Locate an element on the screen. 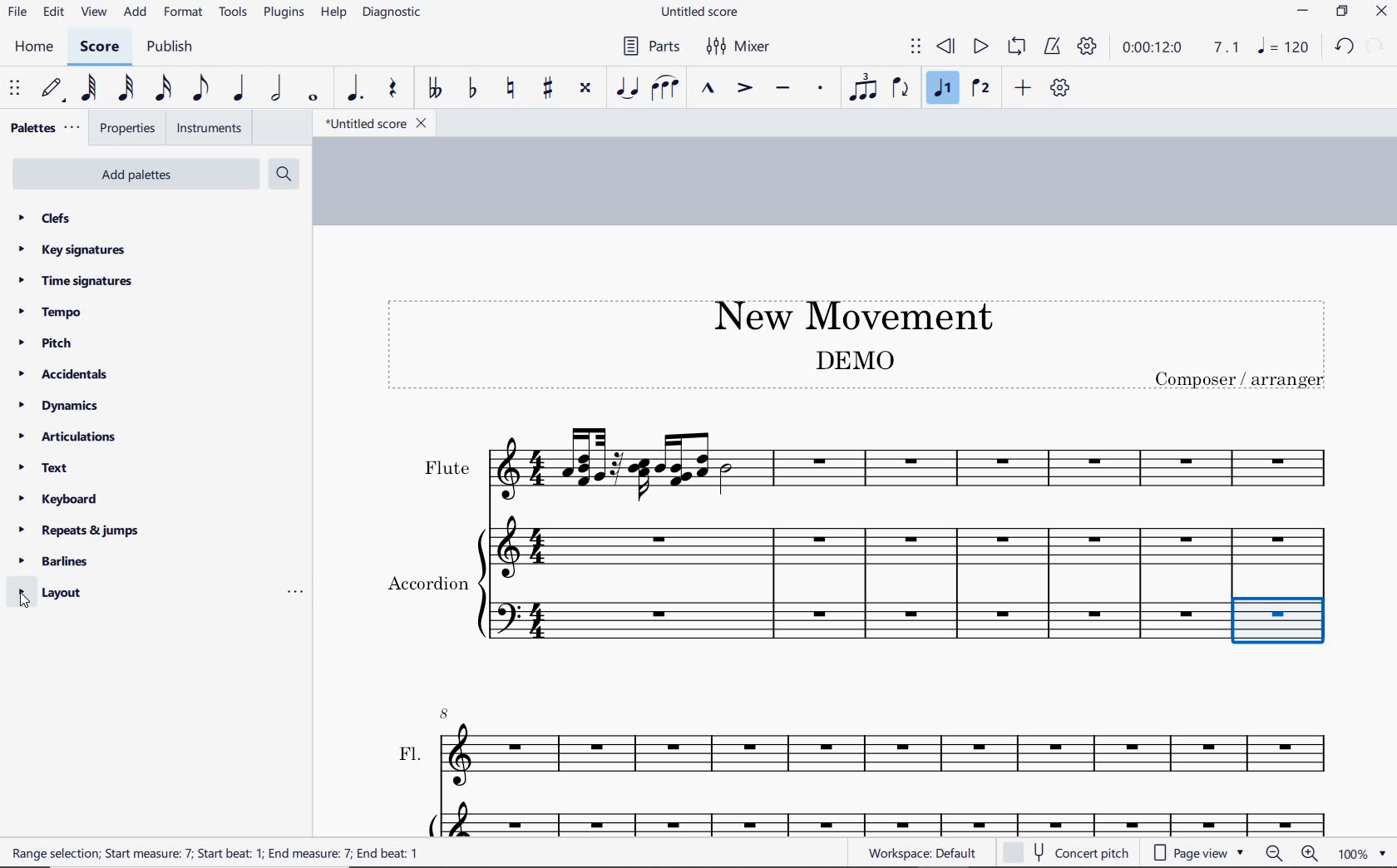 This screenshot has height=868, width=1397. Playback speed is located at coordinates (1228, 48).